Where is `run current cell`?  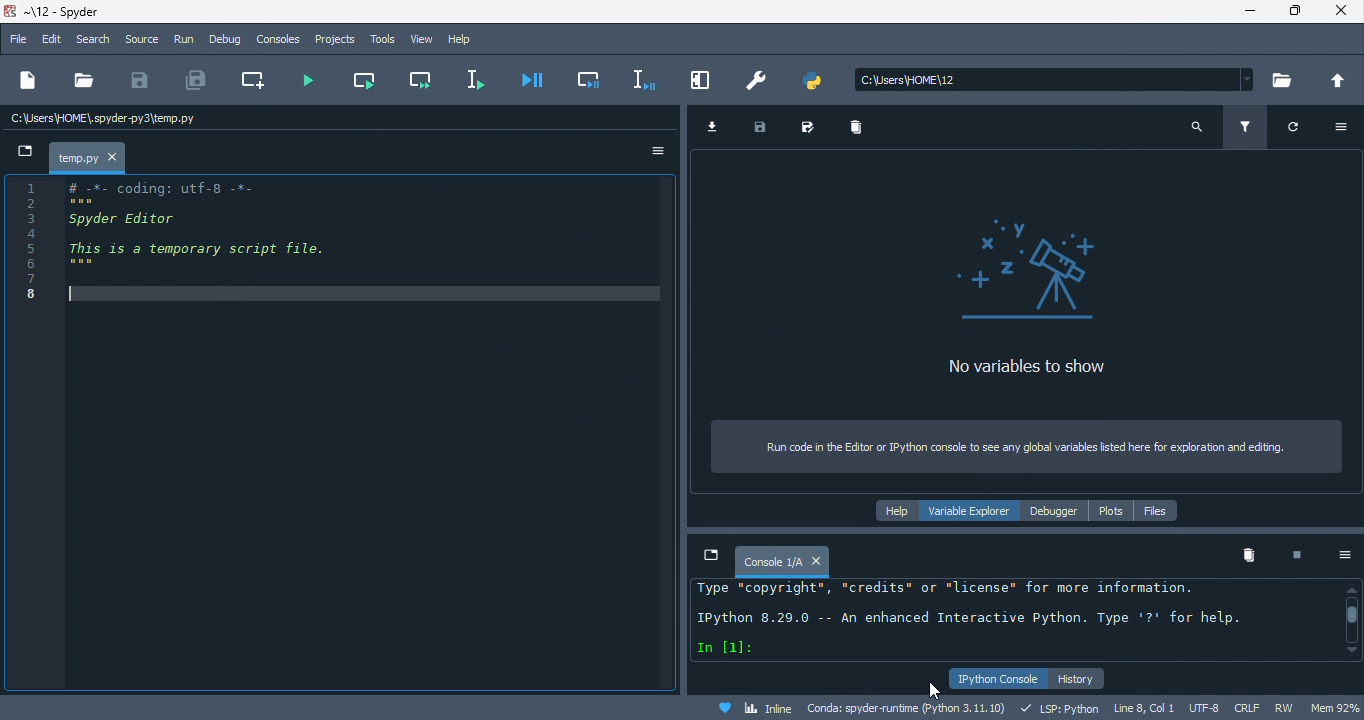
run current cell is located at coordinates (362, 77).